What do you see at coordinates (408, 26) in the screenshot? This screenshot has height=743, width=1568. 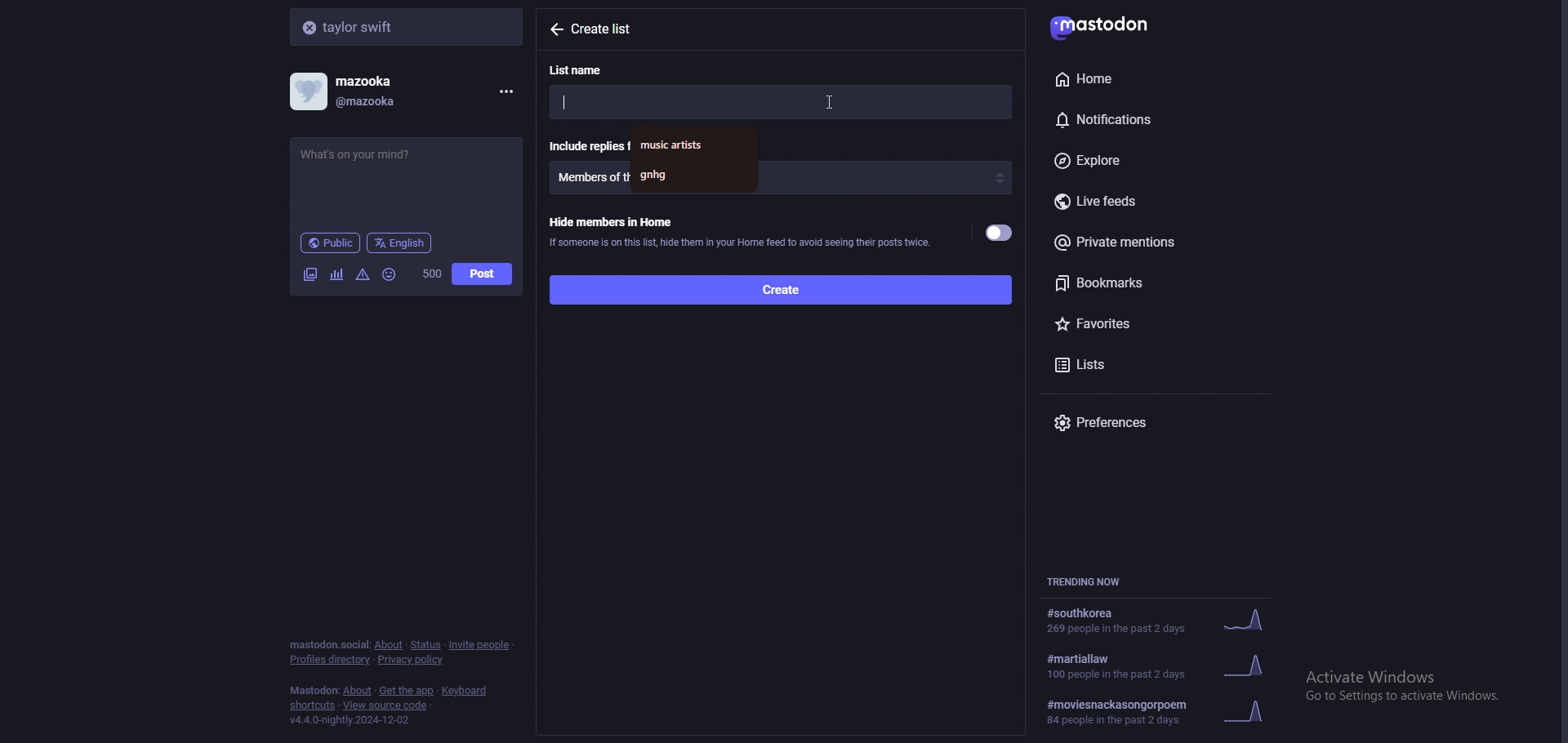 I see `search bar` at bounding box center [408, 26].